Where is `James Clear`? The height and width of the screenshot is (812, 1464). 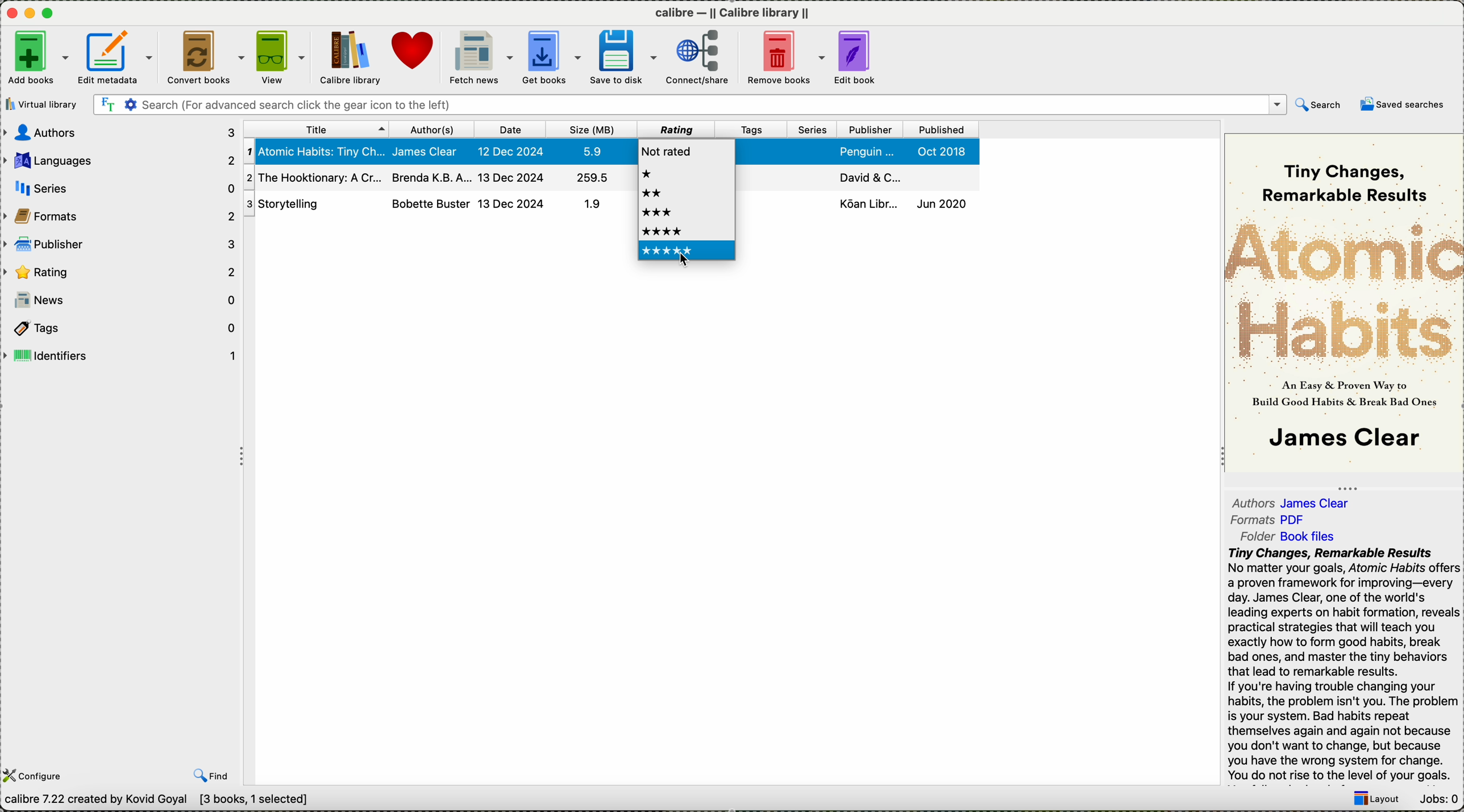
James Clear is located at coordinates (1321, 502).